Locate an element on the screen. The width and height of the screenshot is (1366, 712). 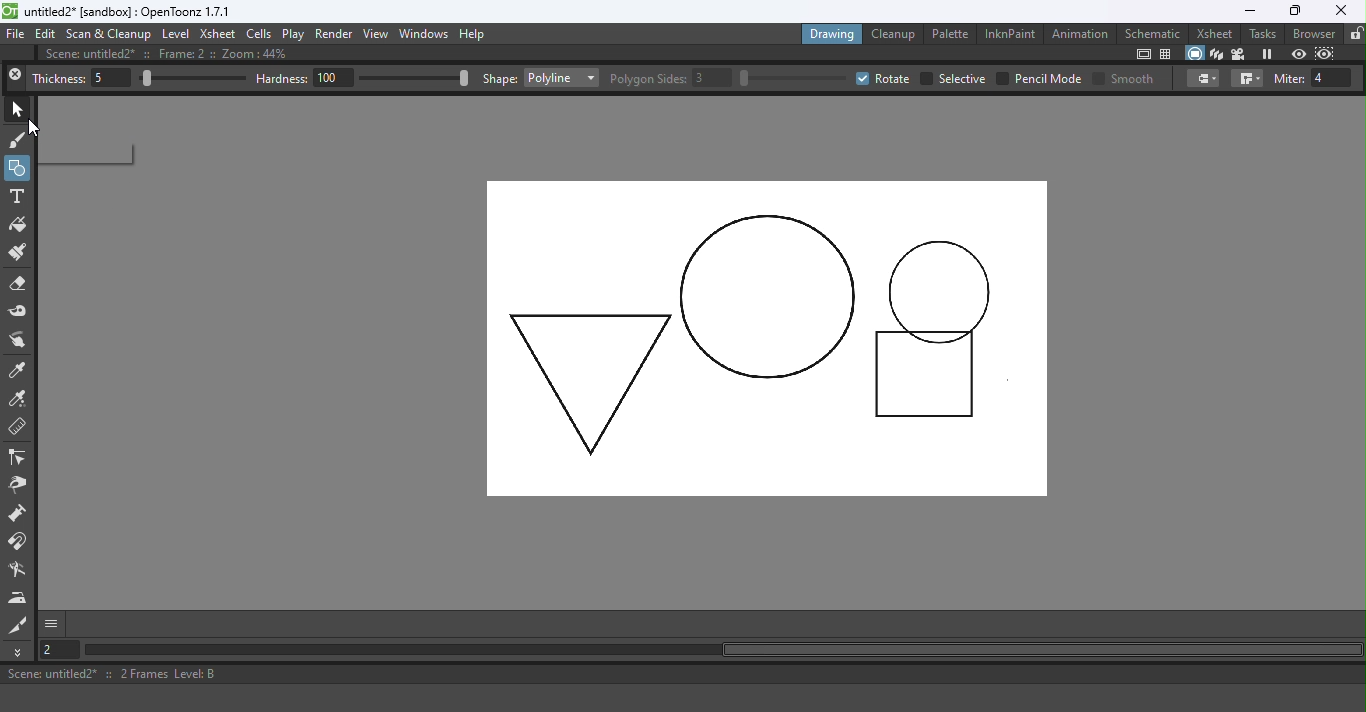
Selective is located at coordinates (953, 78).